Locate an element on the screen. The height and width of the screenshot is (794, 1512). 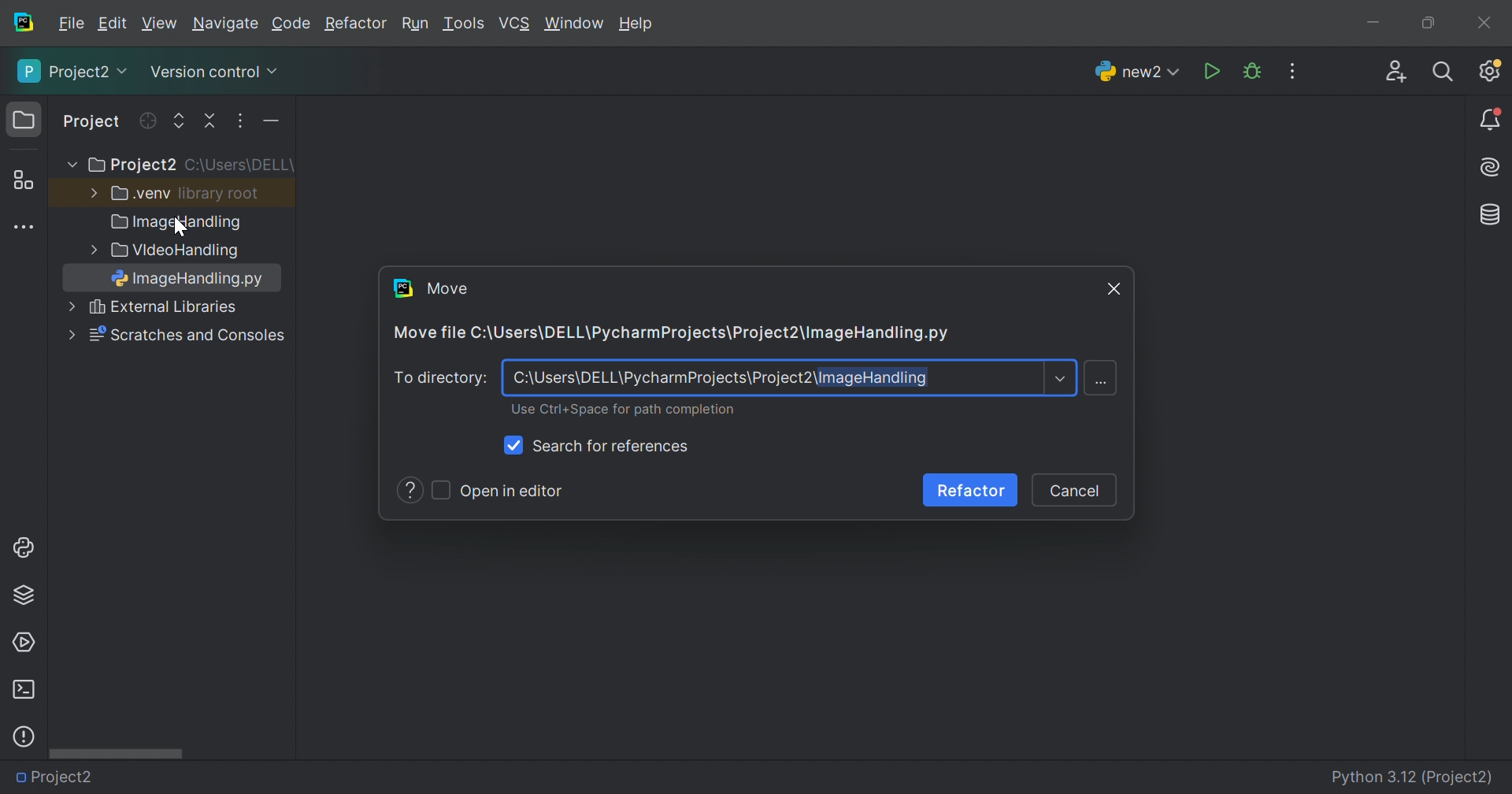
Updates available. IDE and Project Settings. is located at coordinates (1489, 70).